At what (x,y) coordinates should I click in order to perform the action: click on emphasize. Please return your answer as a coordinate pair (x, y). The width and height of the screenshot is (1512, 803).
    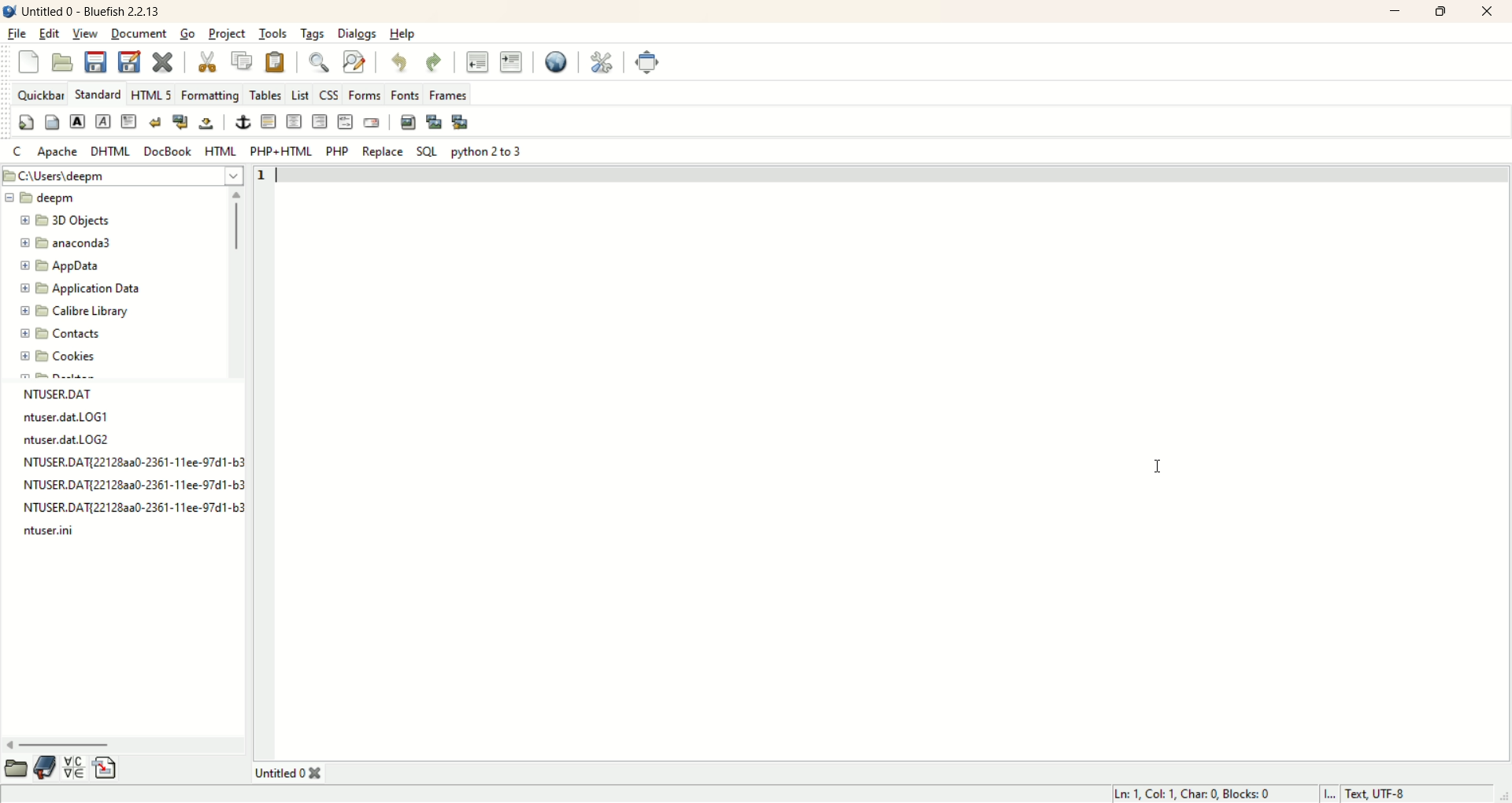
    Looking at the image, I should click on (103, 122).